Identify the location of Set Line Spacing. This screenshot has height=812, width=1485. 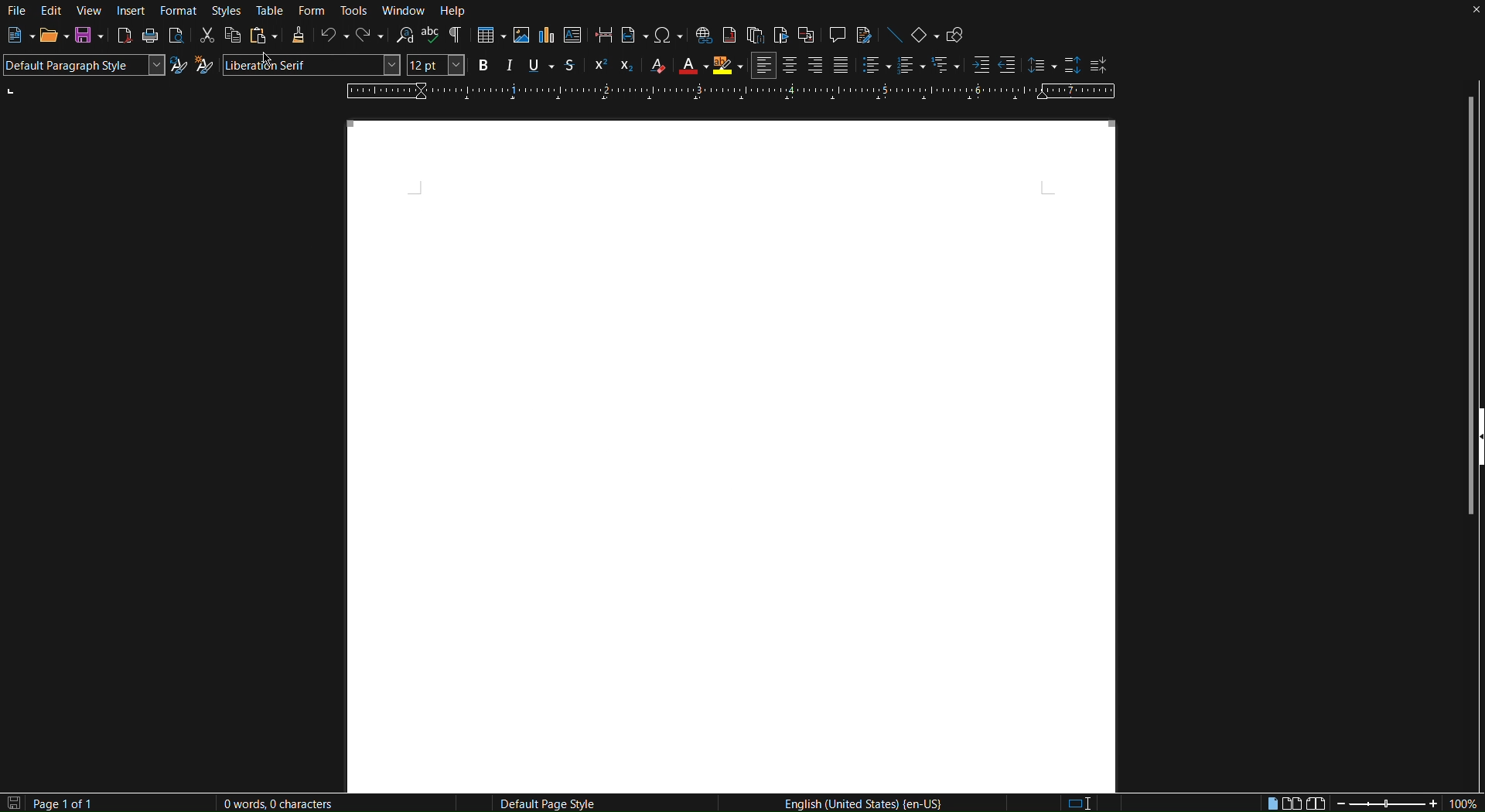
(1041, 67).